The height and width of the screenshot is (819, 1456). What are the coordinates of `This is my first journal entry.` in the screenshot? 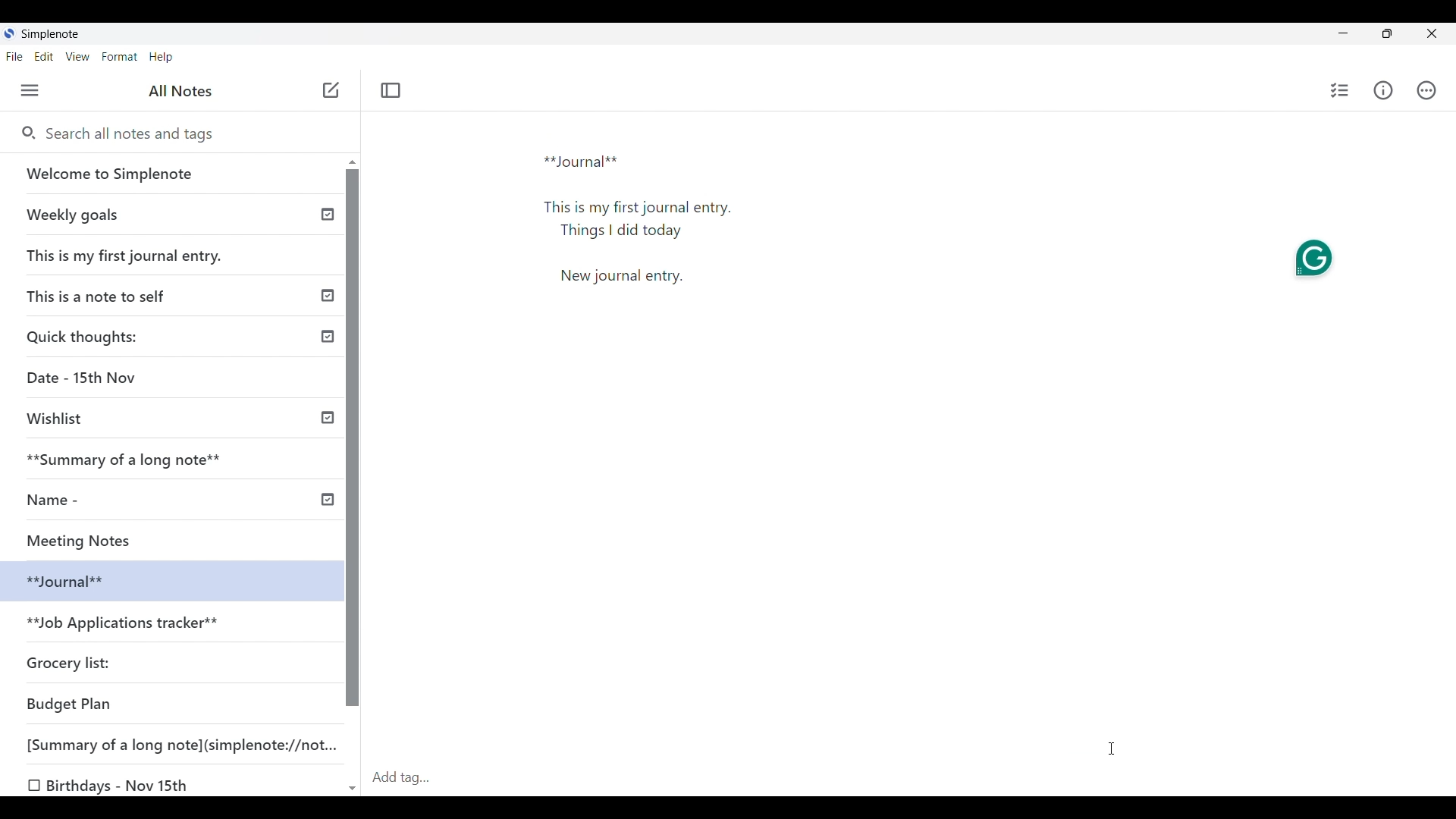 It's located at (126, 255).